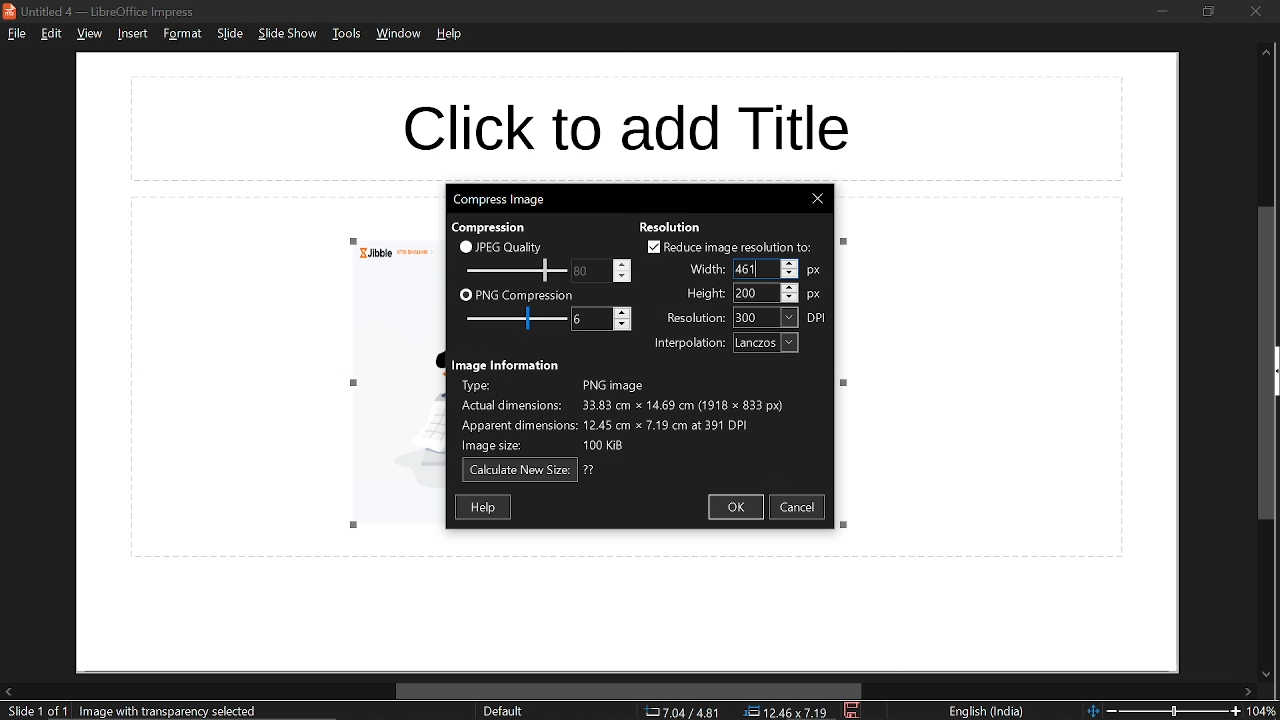  I want to click on Increase , so click(791, 286).